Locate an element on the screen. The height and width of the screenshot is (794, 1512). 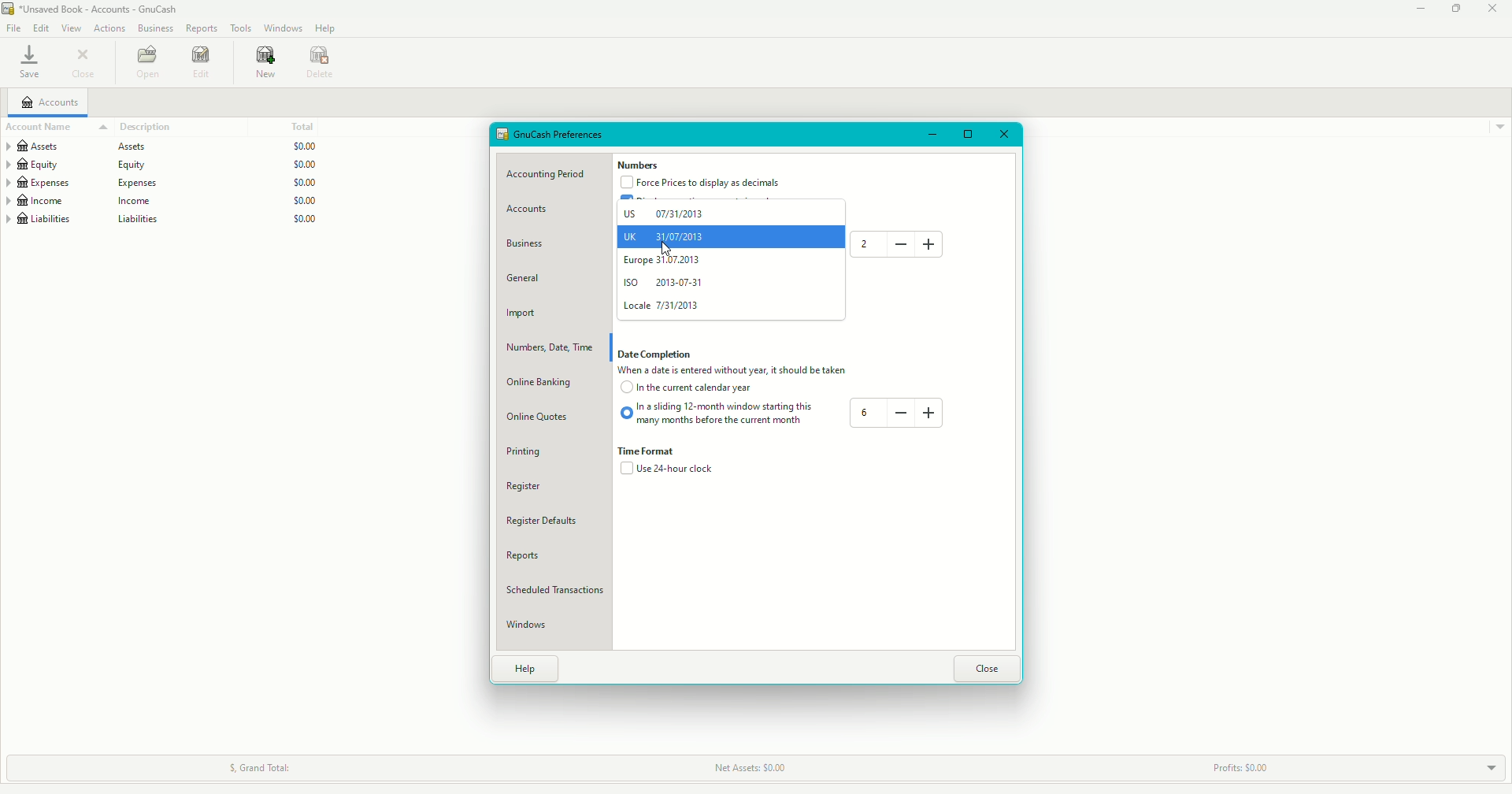
General is located at coordinates (530, 278).